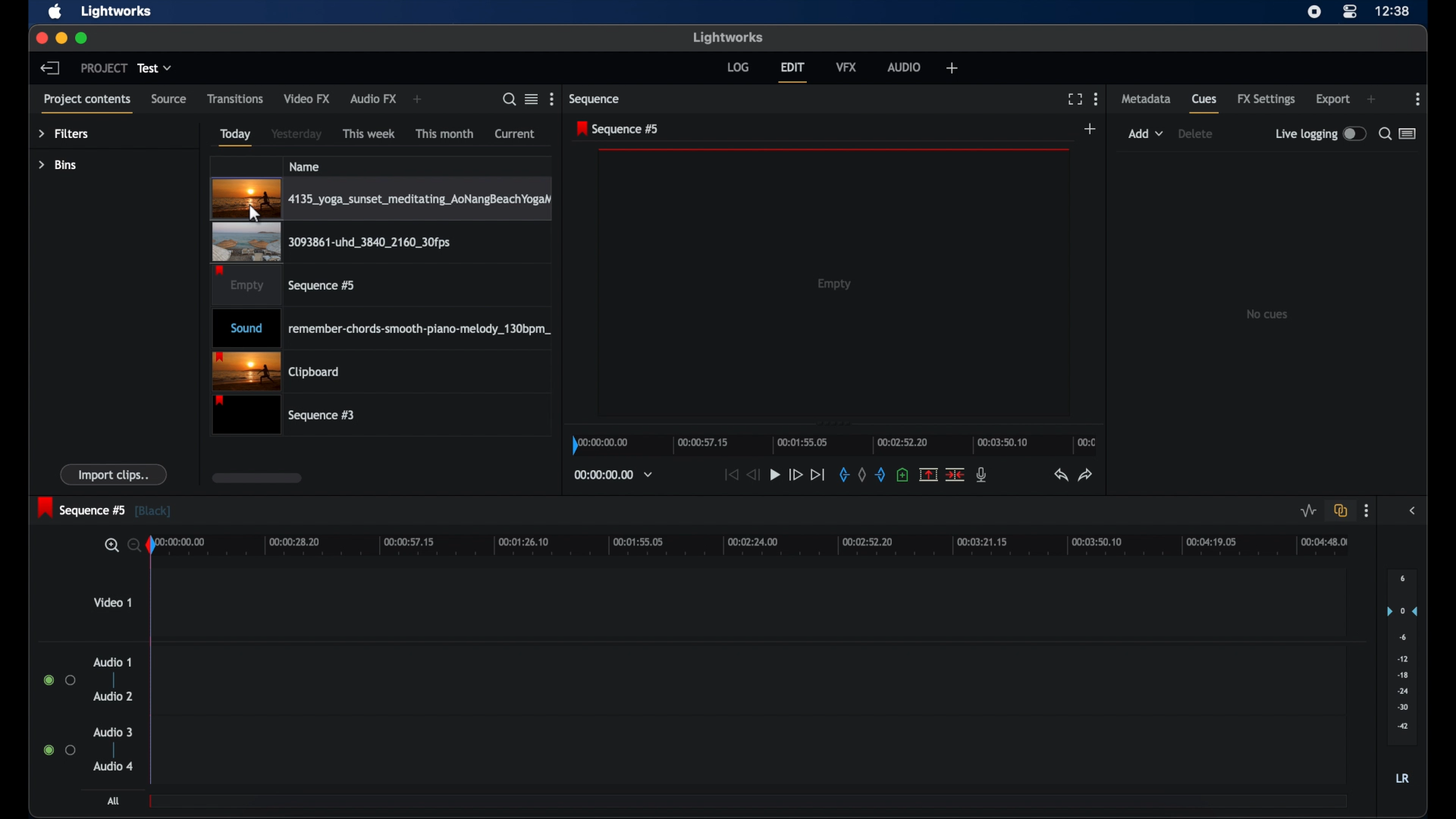 This screenshot has height=819, width=1456. Describe the element at coordinates (955, 475) in the screenshot. I see `split` at that location.